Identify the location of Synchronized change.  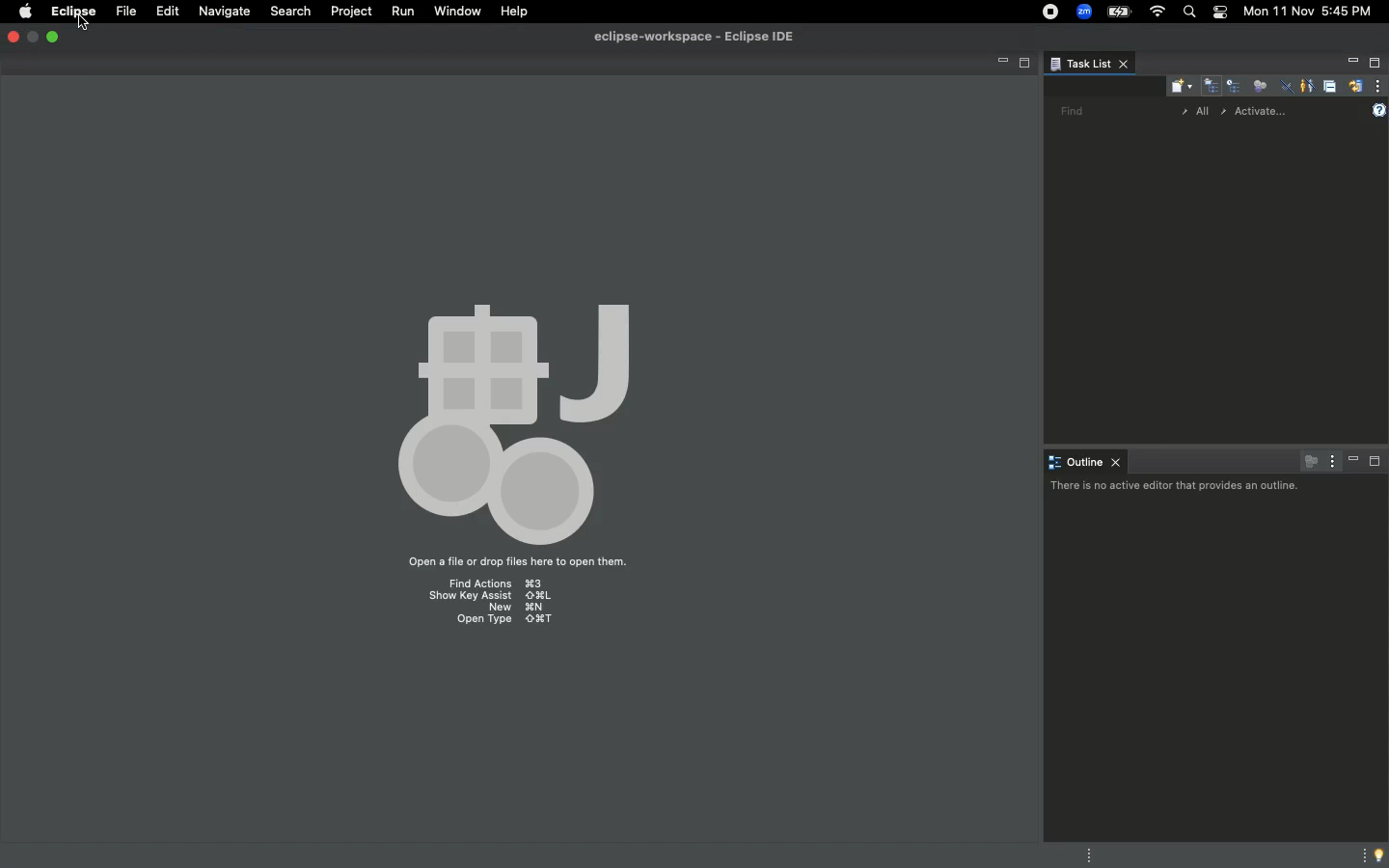
(1355, 84).